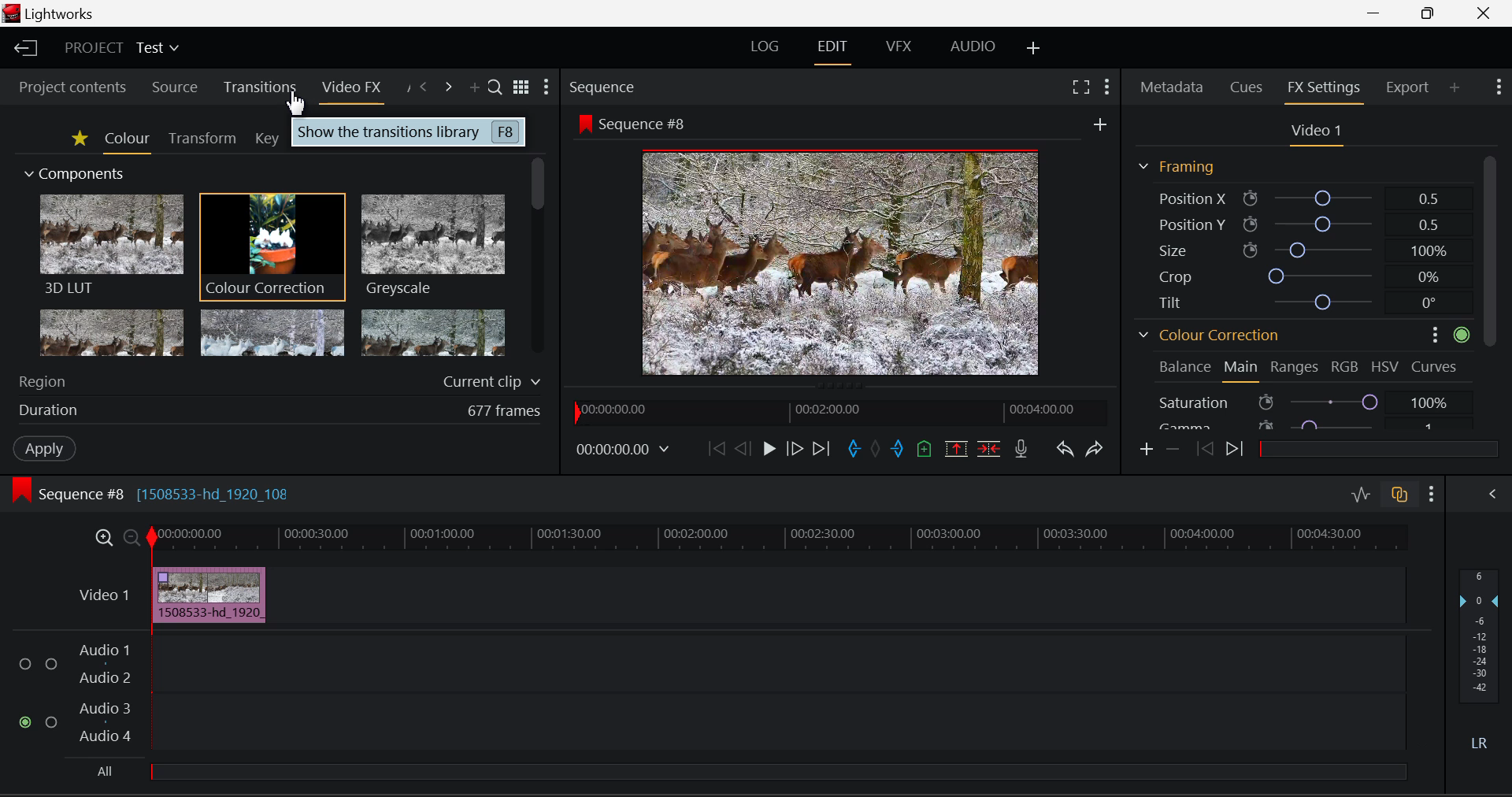 The width and height of the screenshot is (1512, 797). I want to click on All, so click(744, 776).